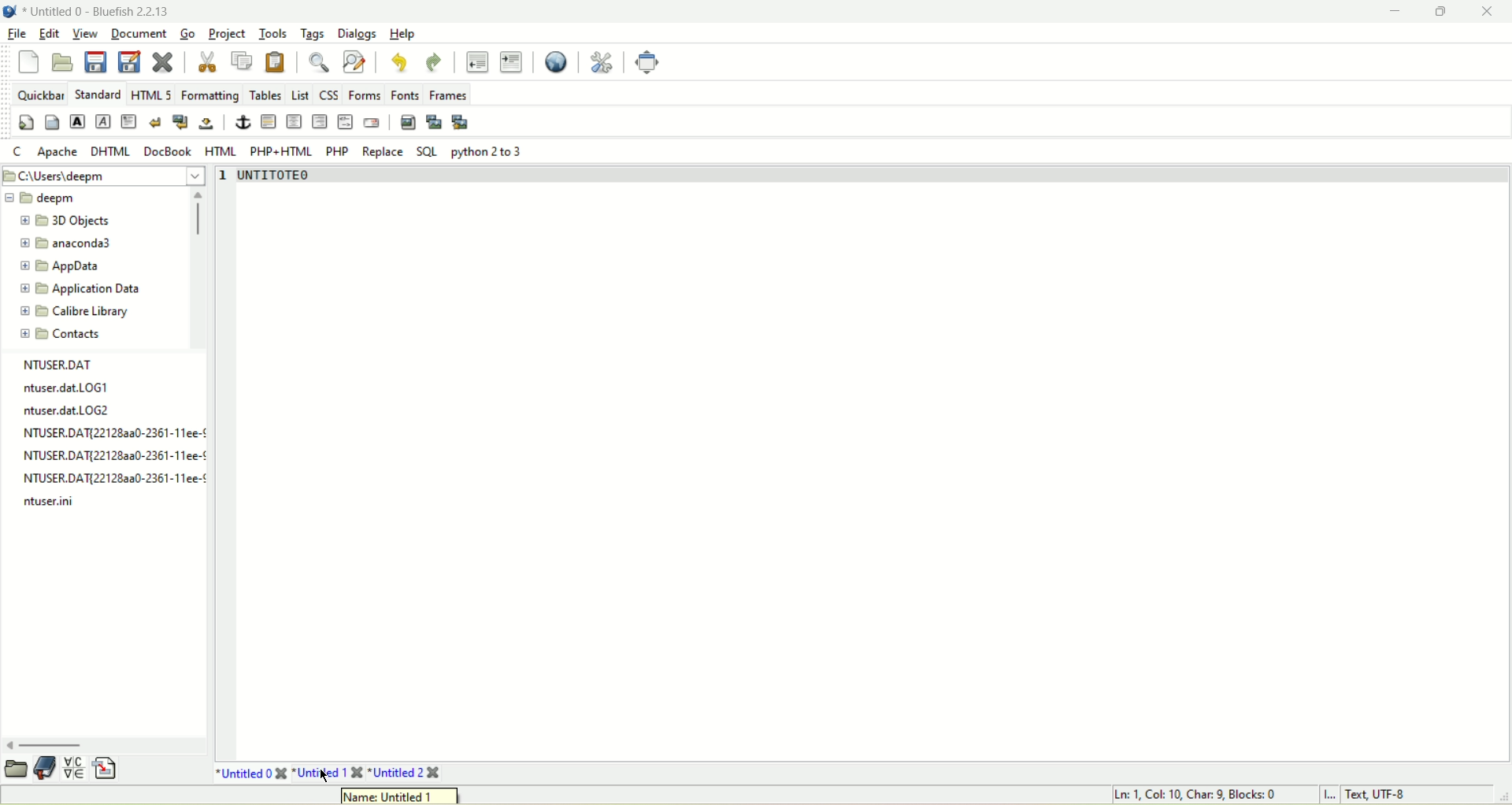 This screenshot has height=805, width=1512. Describe the element at coordinates (13, 33) in the screenshot. I see `file ` at that location.